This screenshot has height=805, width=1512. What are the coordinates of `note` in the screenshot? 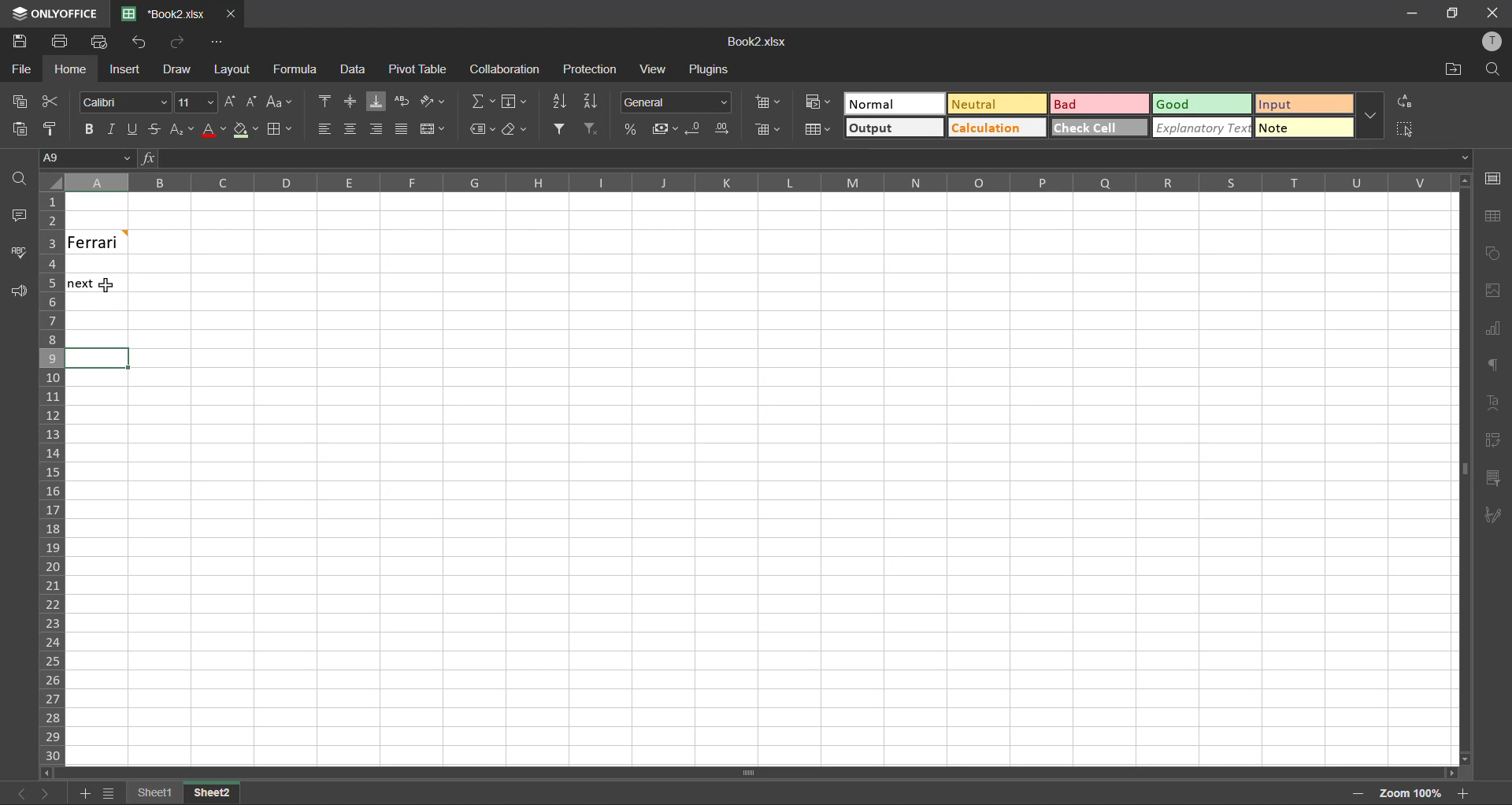 It's located at (1295, 130).